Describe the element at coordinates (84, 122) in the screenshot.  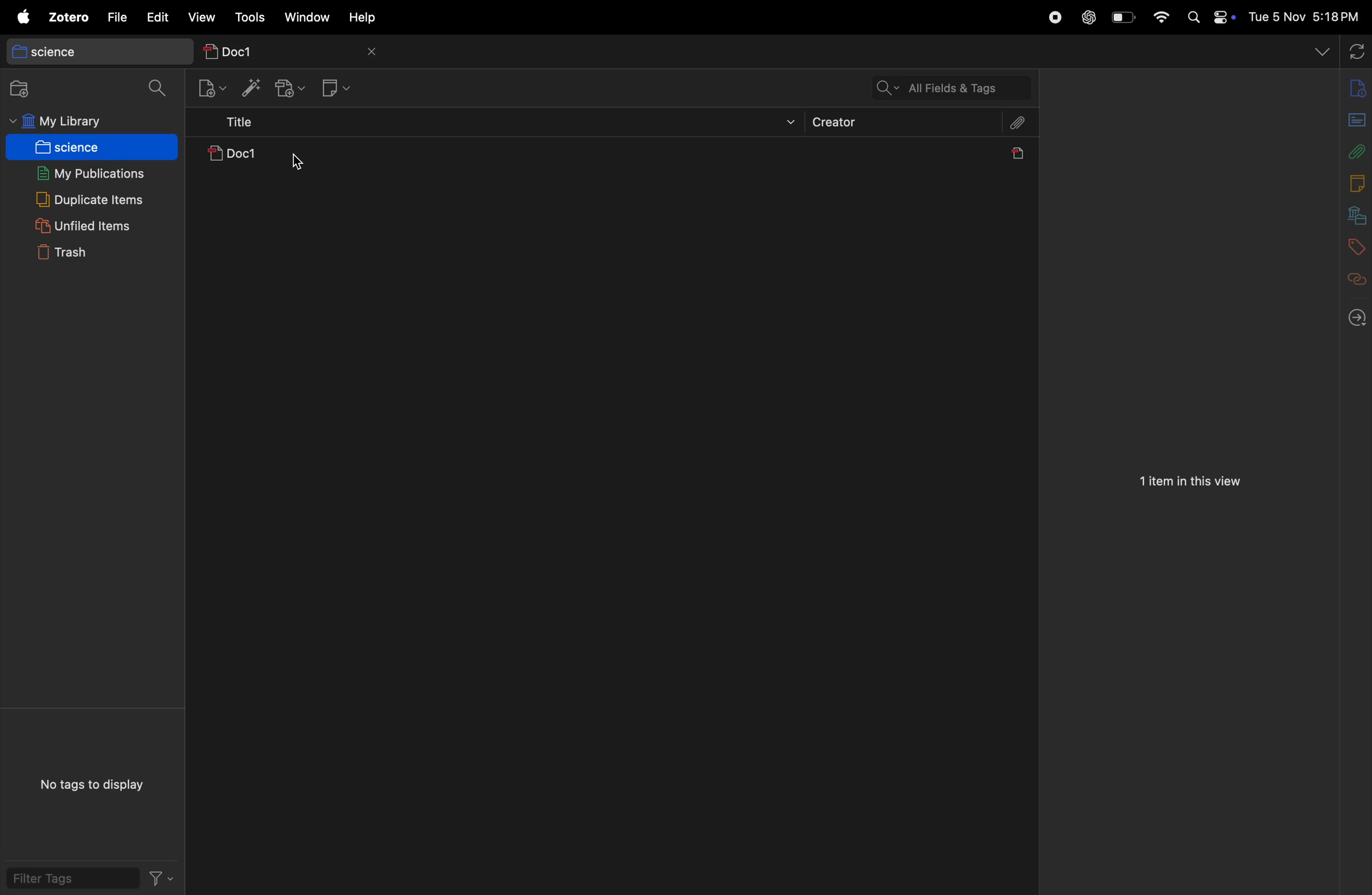
I see `My library` at that location.